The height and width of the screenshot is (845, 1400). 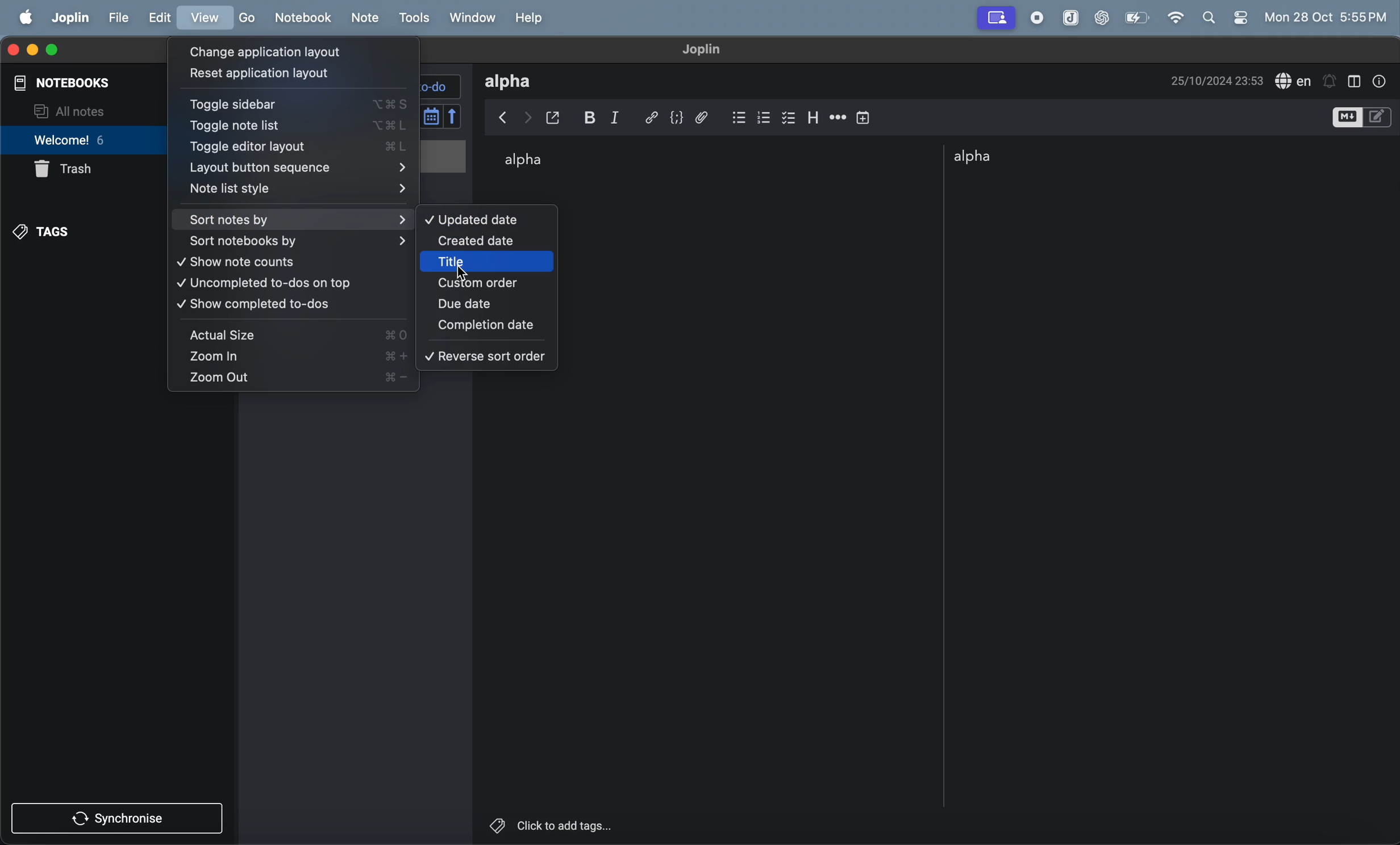 I want to click on file, so click(x=119, y=19).